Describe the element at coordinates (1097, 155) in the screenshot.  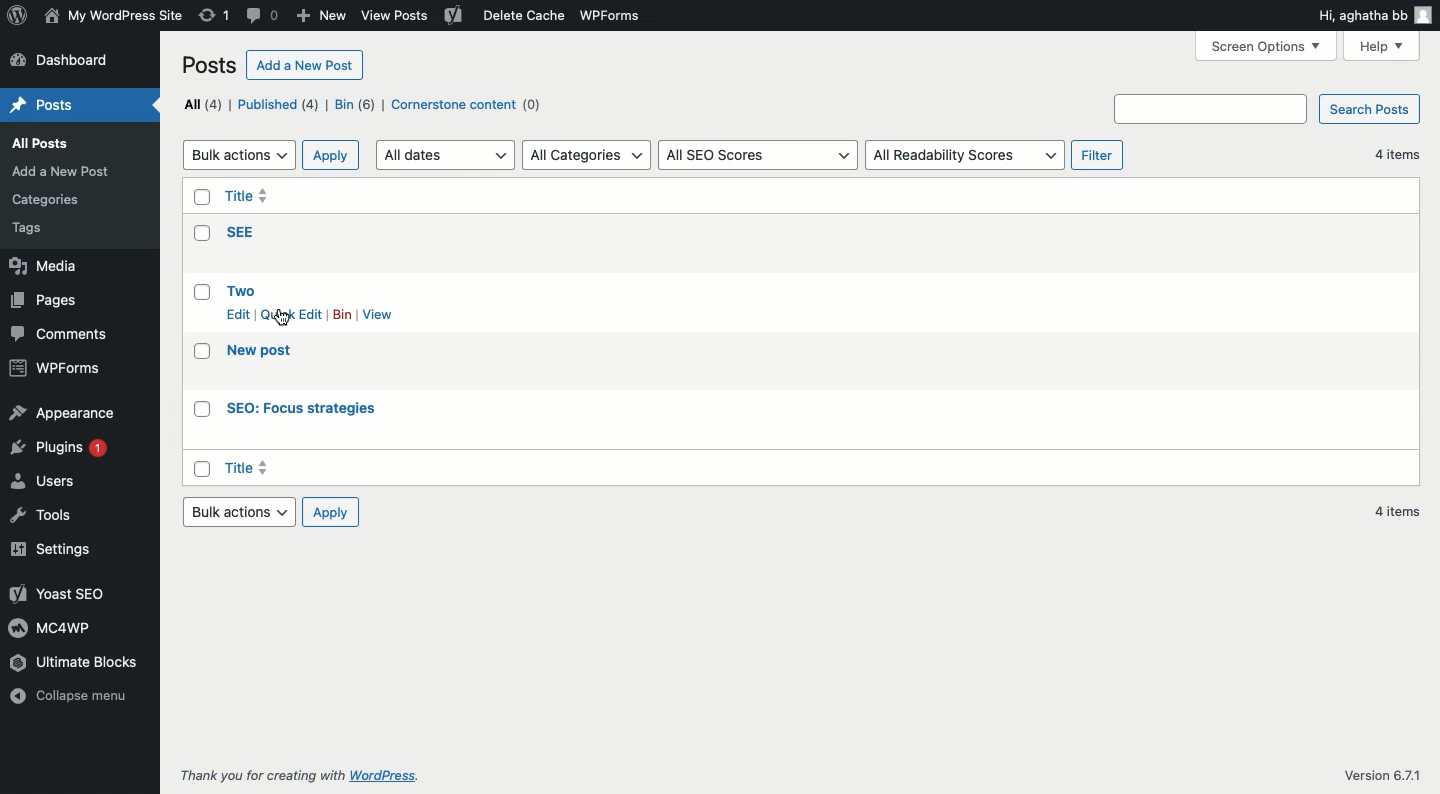
I see `Filter` at that location.